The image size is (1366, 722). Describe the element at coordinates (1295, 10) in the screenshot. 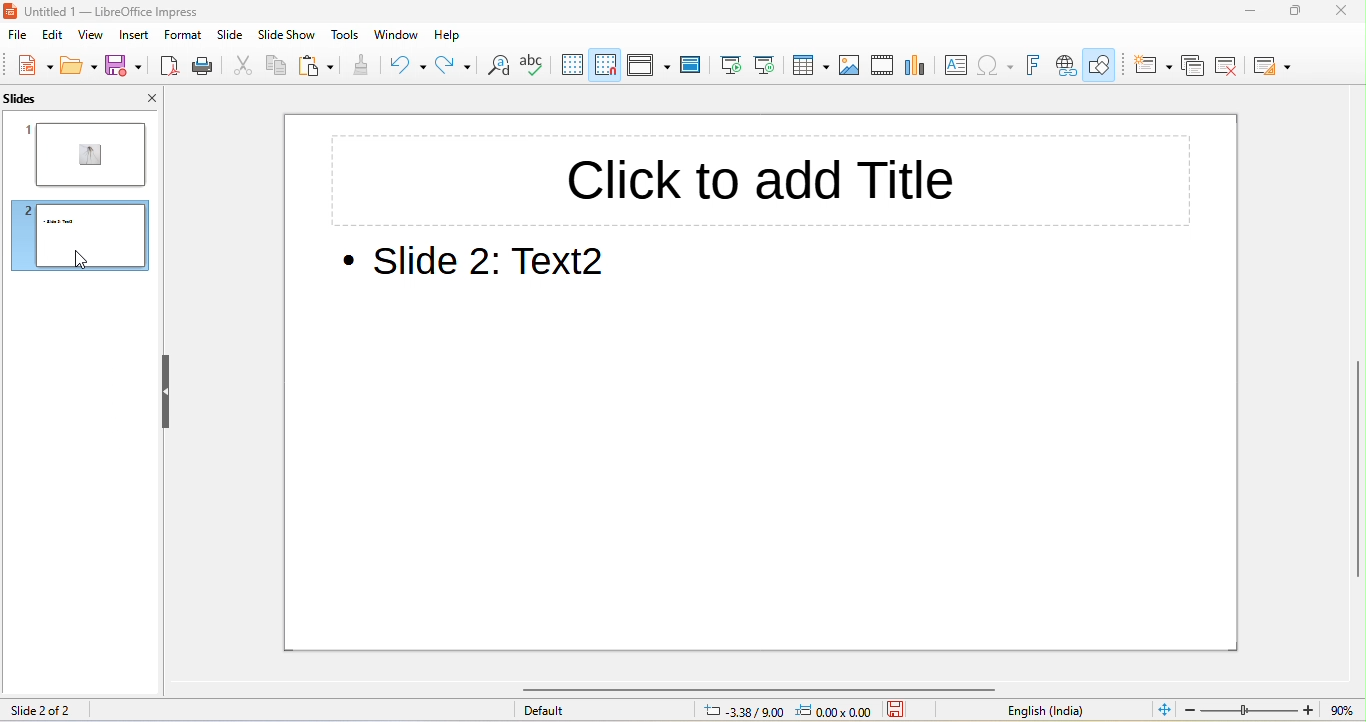

I see `maximize` at that location.